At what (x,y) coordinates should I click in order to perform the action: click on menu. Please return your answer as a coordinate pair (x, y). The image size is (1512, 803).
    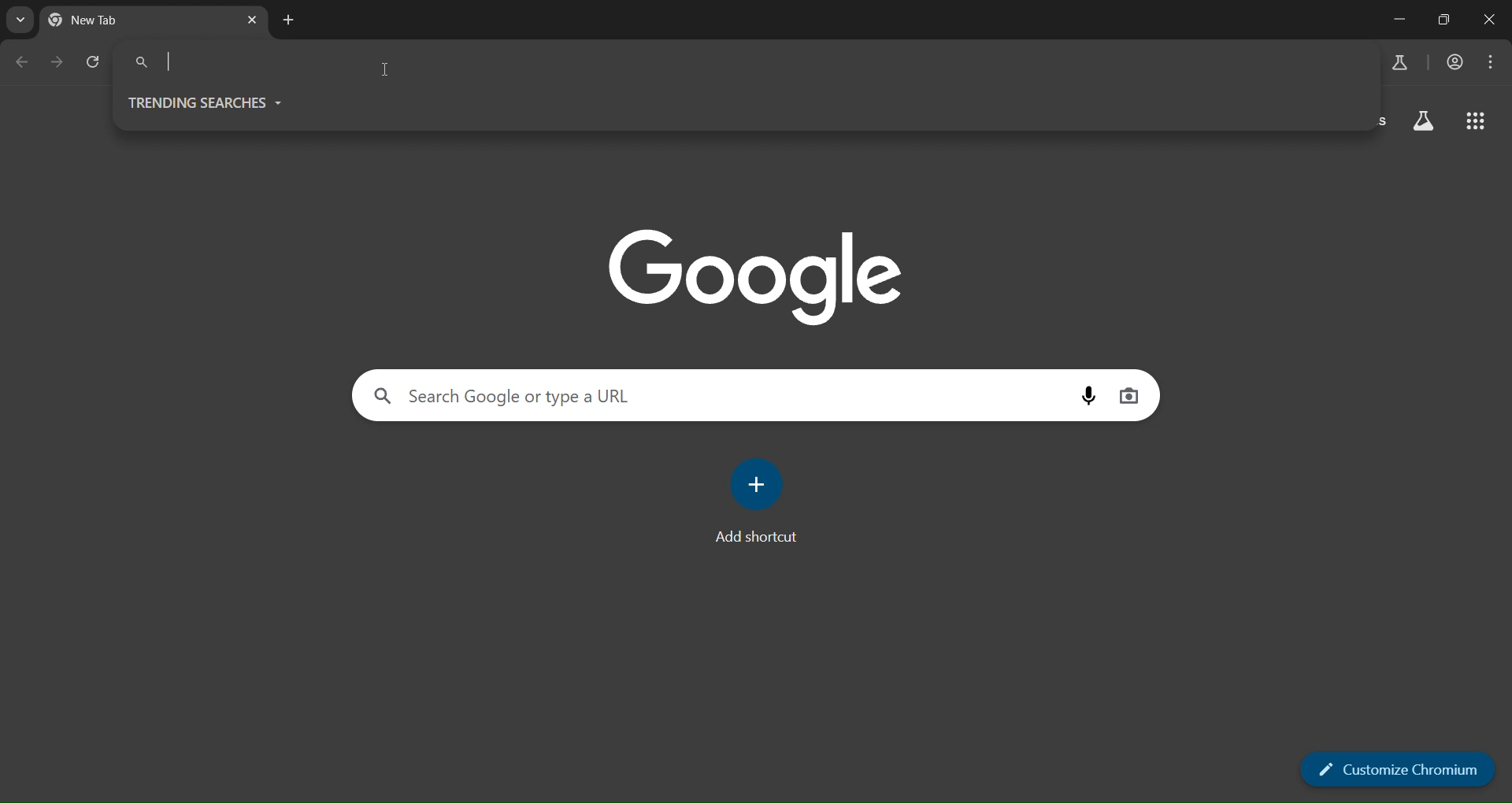
    Looking at the image, I should click on (1495, 61).